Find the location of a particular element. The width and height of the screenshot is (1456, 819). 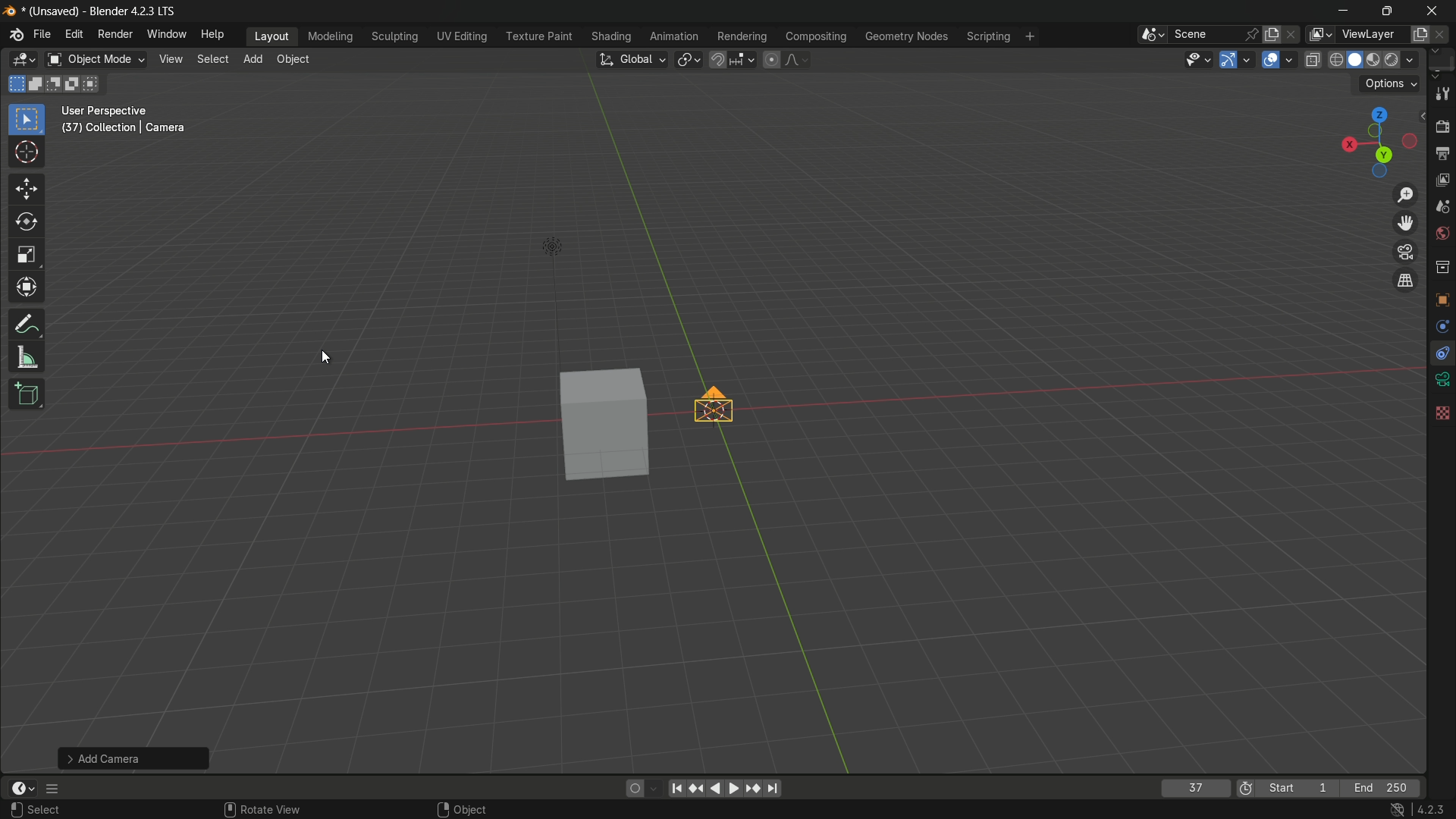

uv editing menu is located at coordinates (462, 36).